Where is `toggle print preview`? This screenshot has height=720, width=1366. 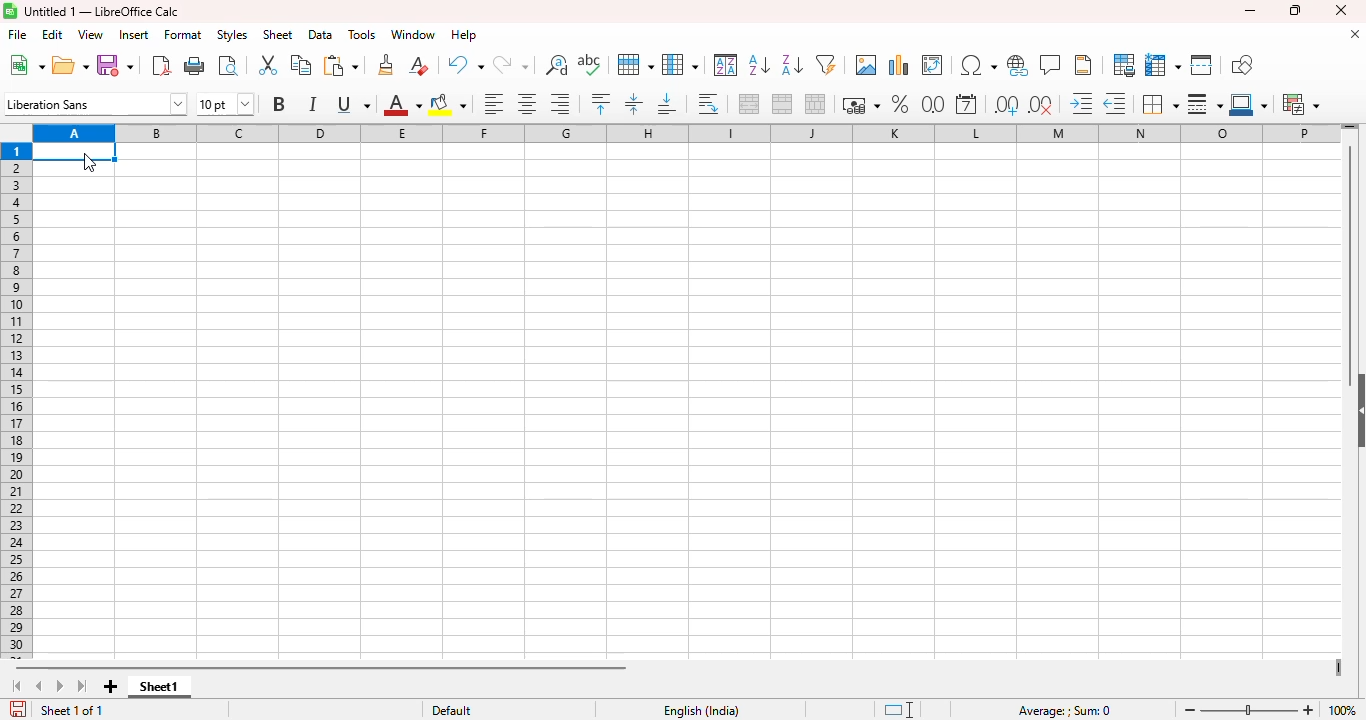
toggle print preview is located at coordinates (228, 65).